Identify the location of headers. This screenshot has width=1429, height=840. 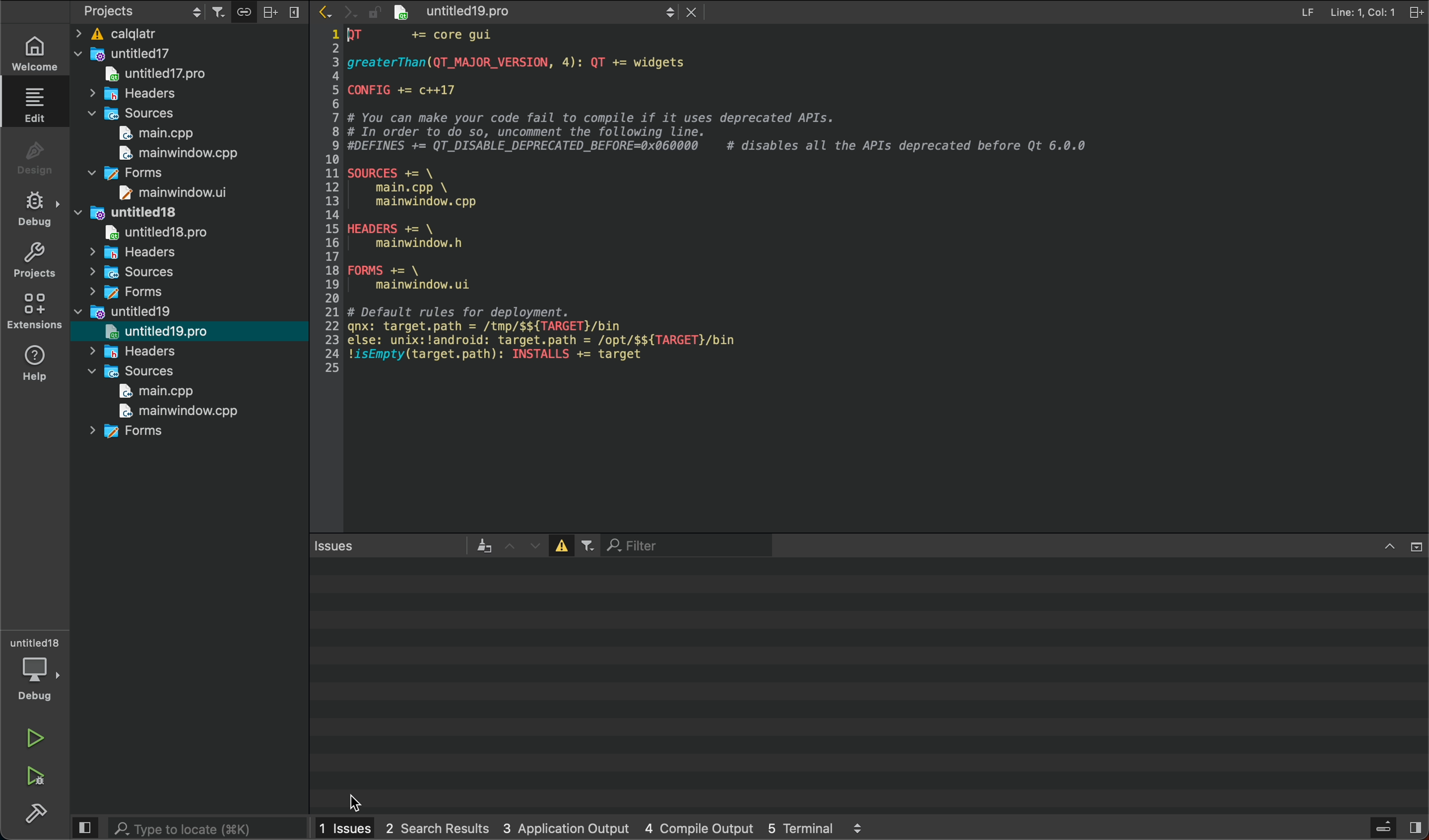
(138, 254).